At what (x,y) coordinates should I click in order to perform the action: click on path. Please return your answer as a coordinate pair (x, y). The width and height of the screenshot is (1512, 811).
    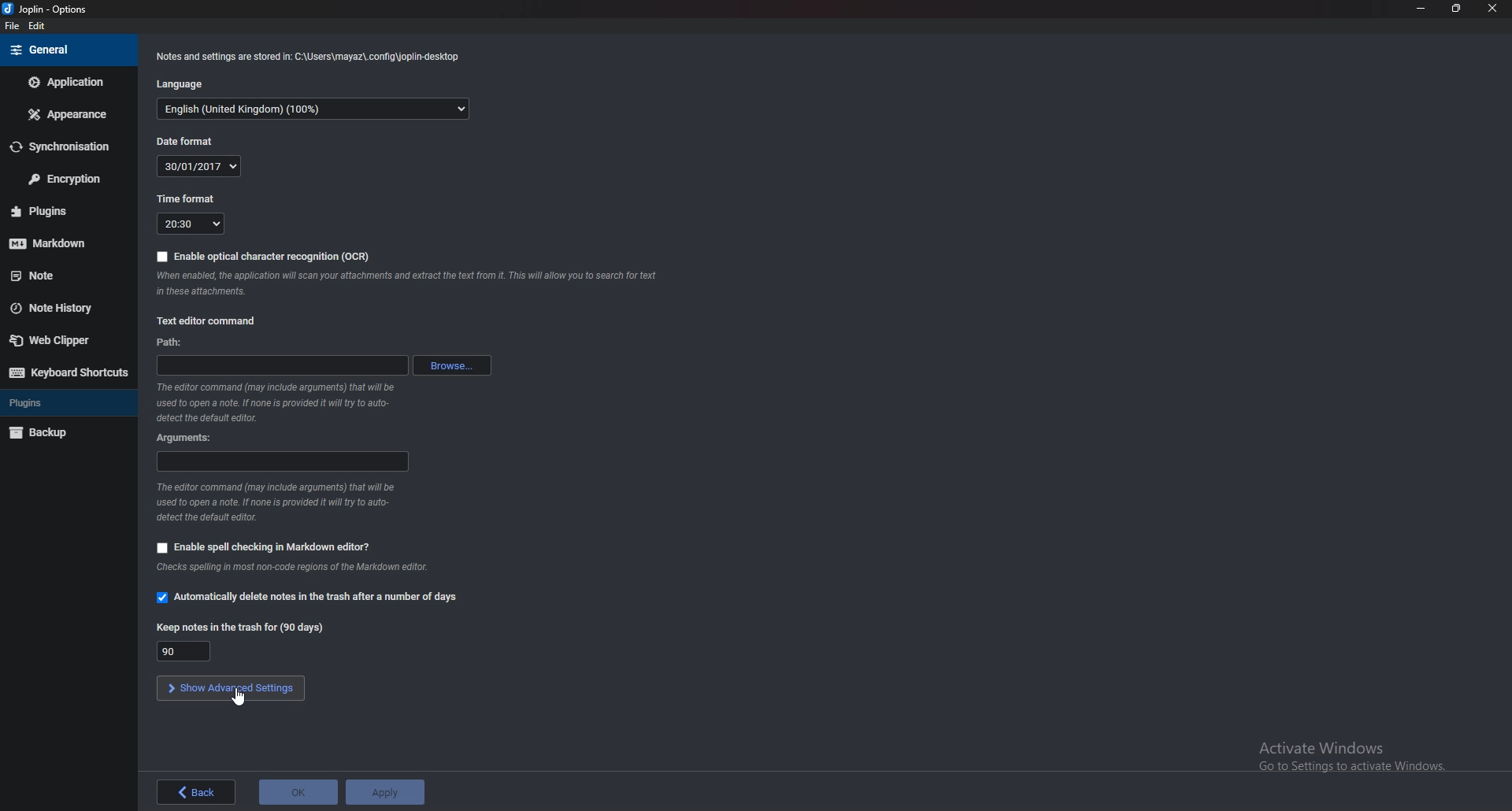
    Looking at the image, I should click on (281, 364).